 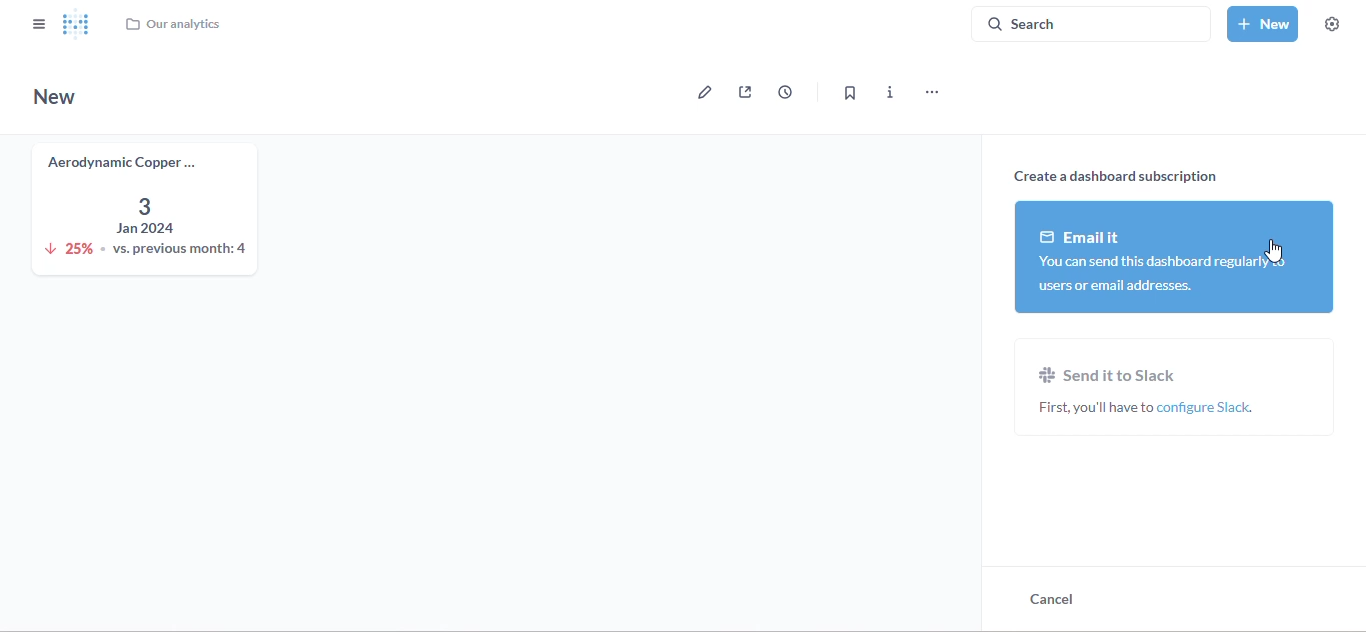 What do you see at coordinates (1091, 23) in the screenshot?
I see `search` at bounding box center [1091, 23].